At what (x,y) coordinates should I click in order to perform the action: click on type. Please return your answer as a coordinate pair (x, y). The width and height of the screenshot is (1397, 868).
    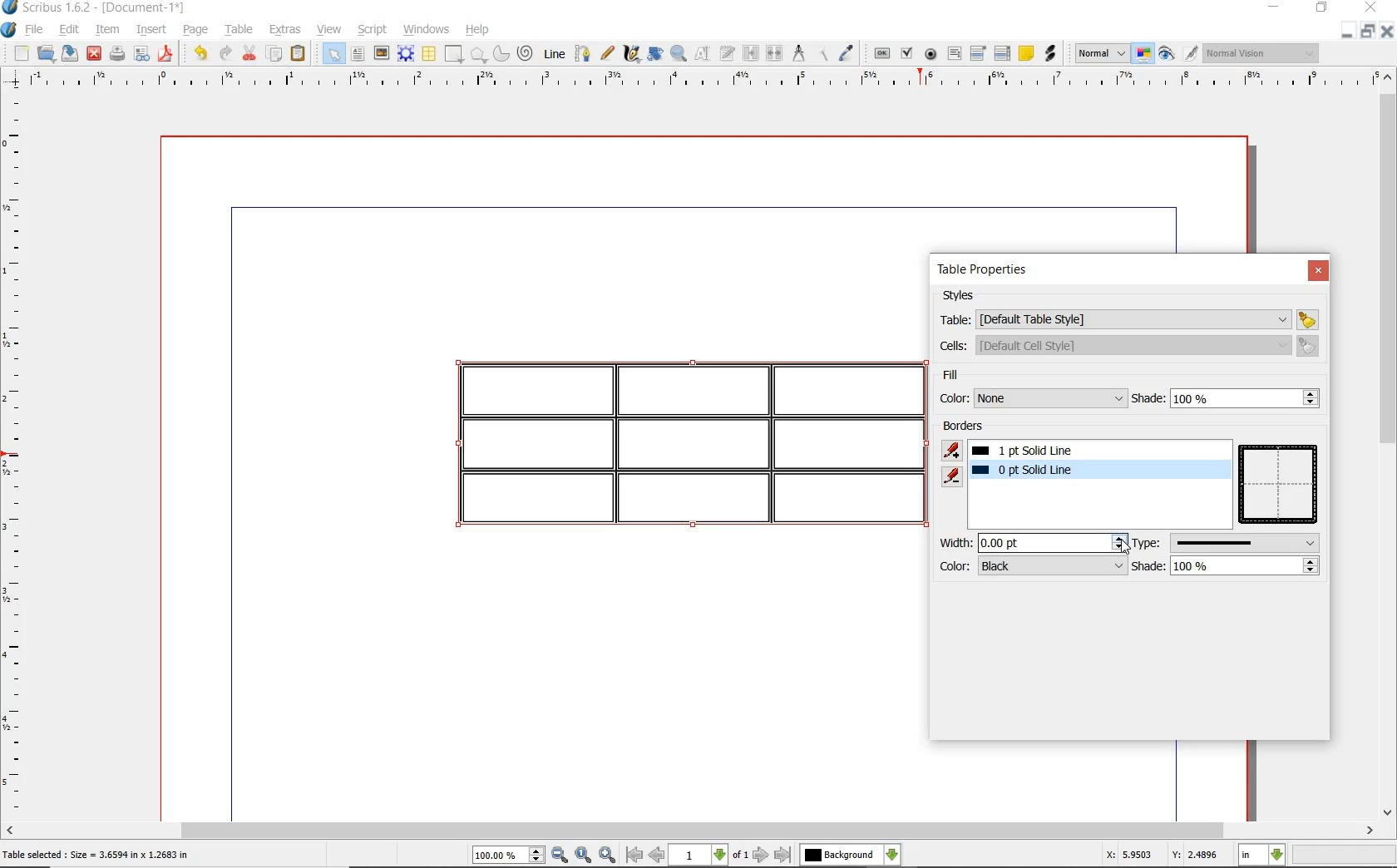
    Looking at the image, I should click on (1229, 542).